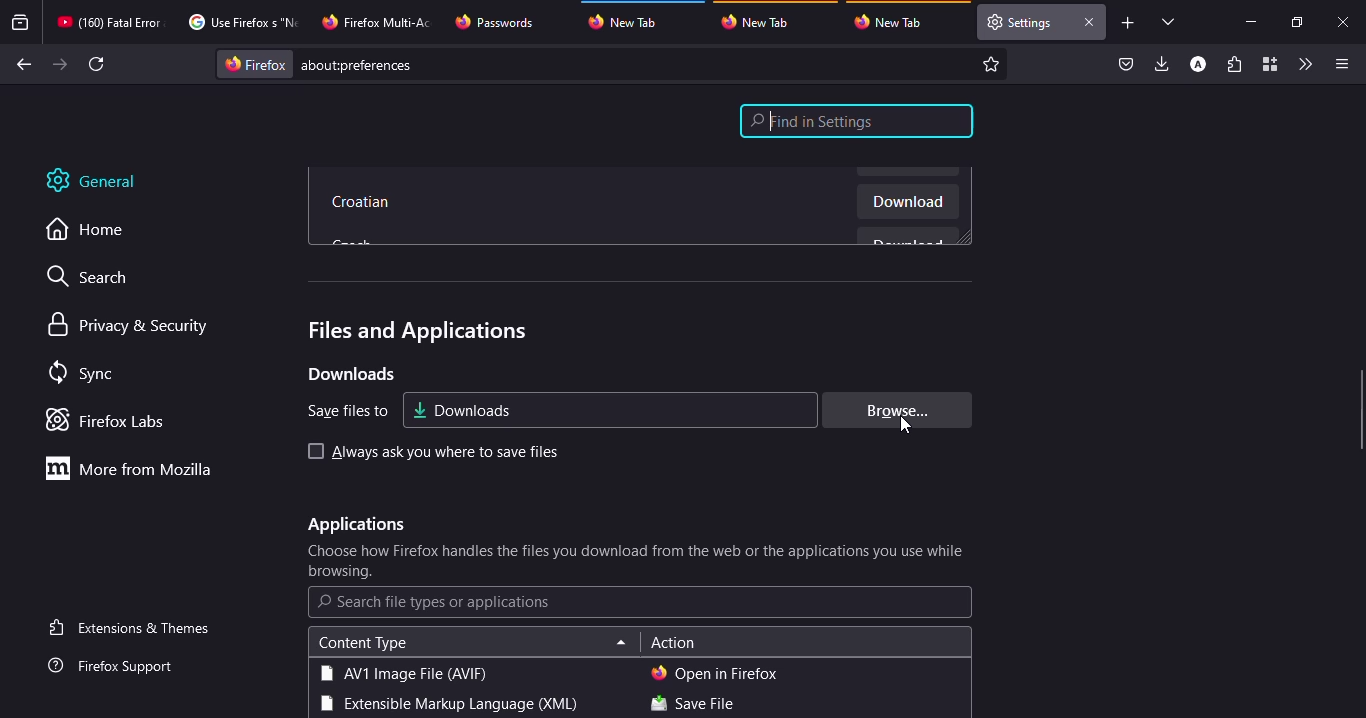 Image resolution: width=1366 pixels, height=718 pixels. I want to click on forward, so click(60, 64).